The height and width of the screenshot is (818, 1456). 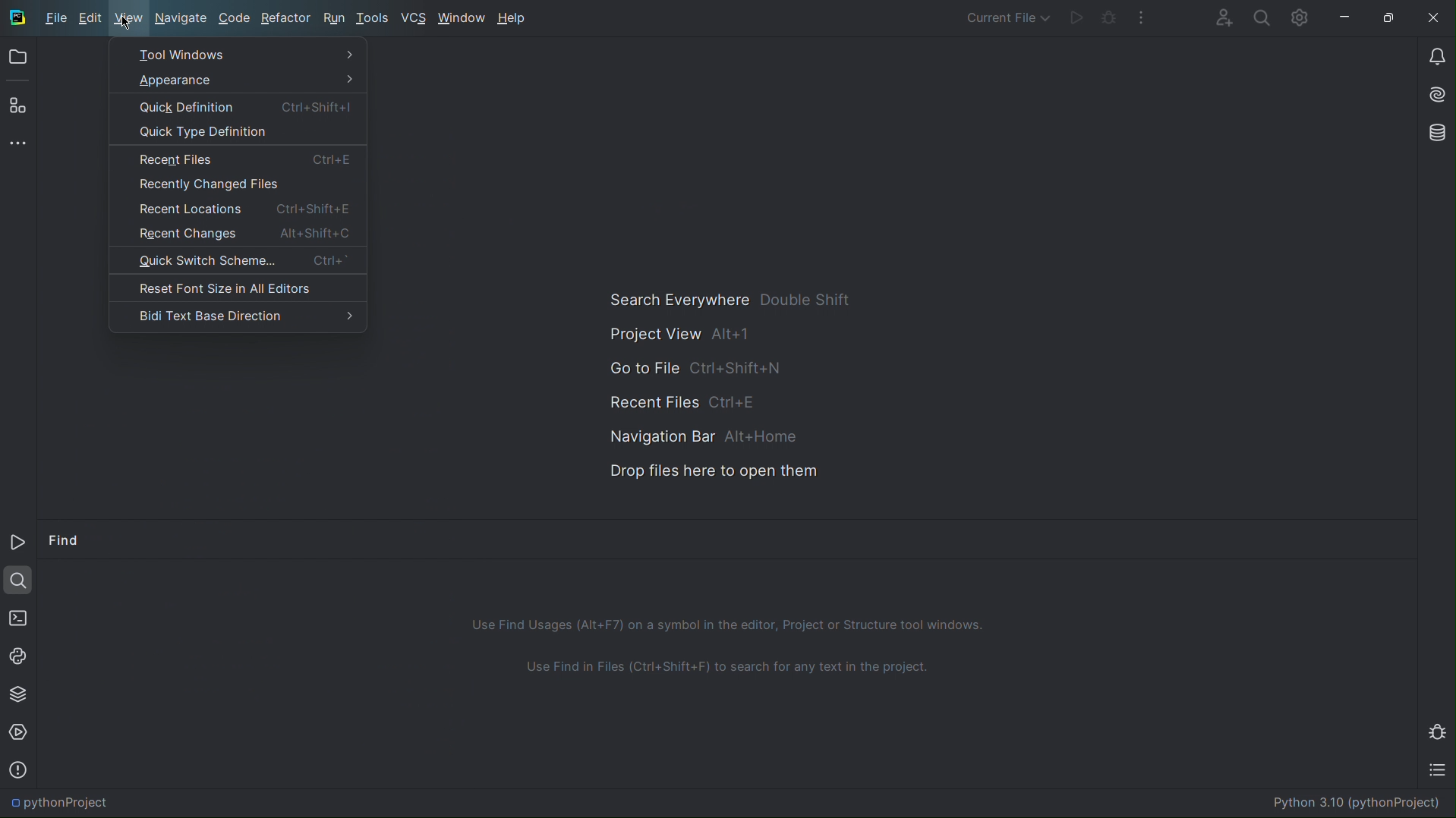 I want to click on Reset Font Size in All Editors, so click(x=235, y=288).